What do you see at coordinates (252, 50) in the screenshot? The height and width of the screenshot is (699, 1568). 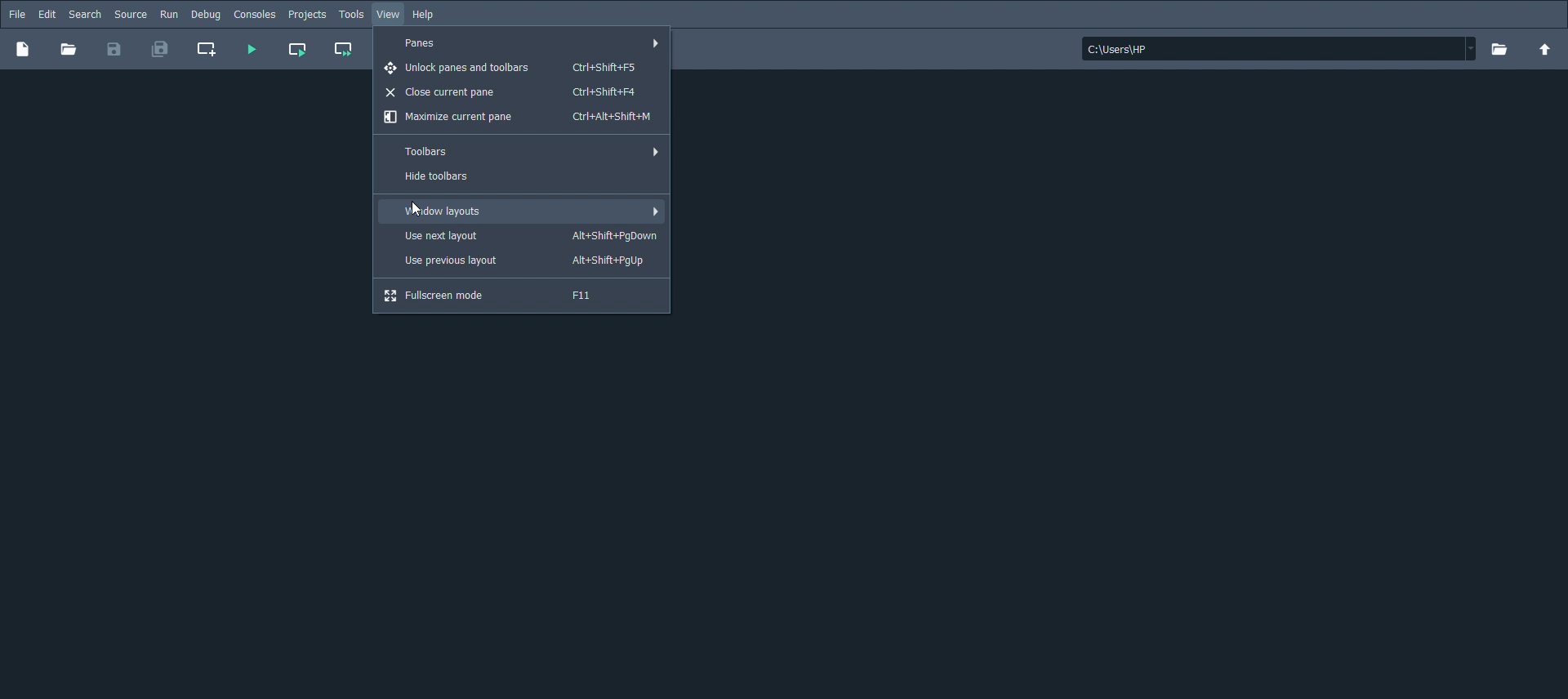 I see `Run file` at bounding box center [252, 50].